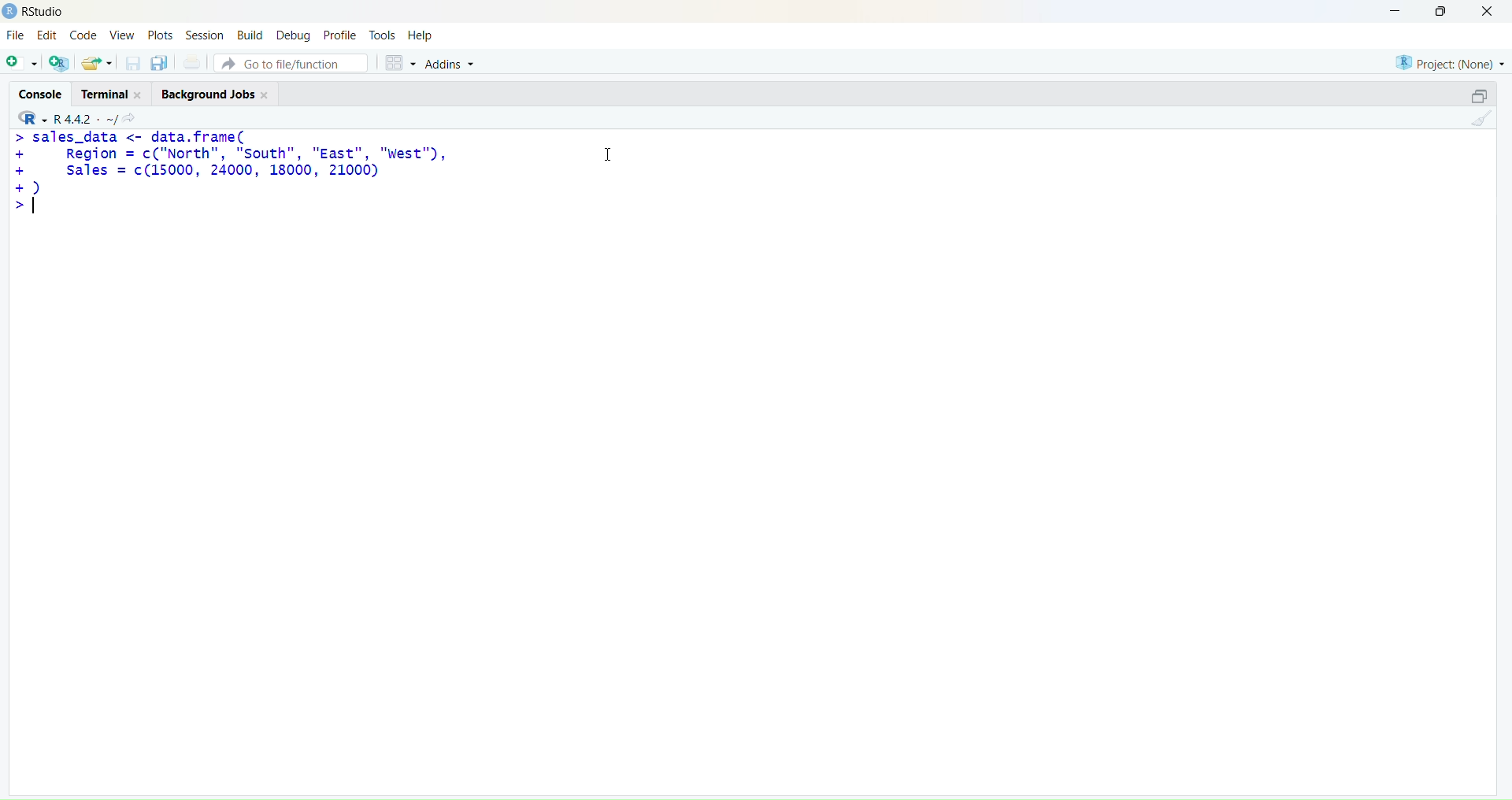 This screenshot has width=1512, height=800. Describe the element at coordinates (37, 91) in the screenshot. I see `Console` at that location.